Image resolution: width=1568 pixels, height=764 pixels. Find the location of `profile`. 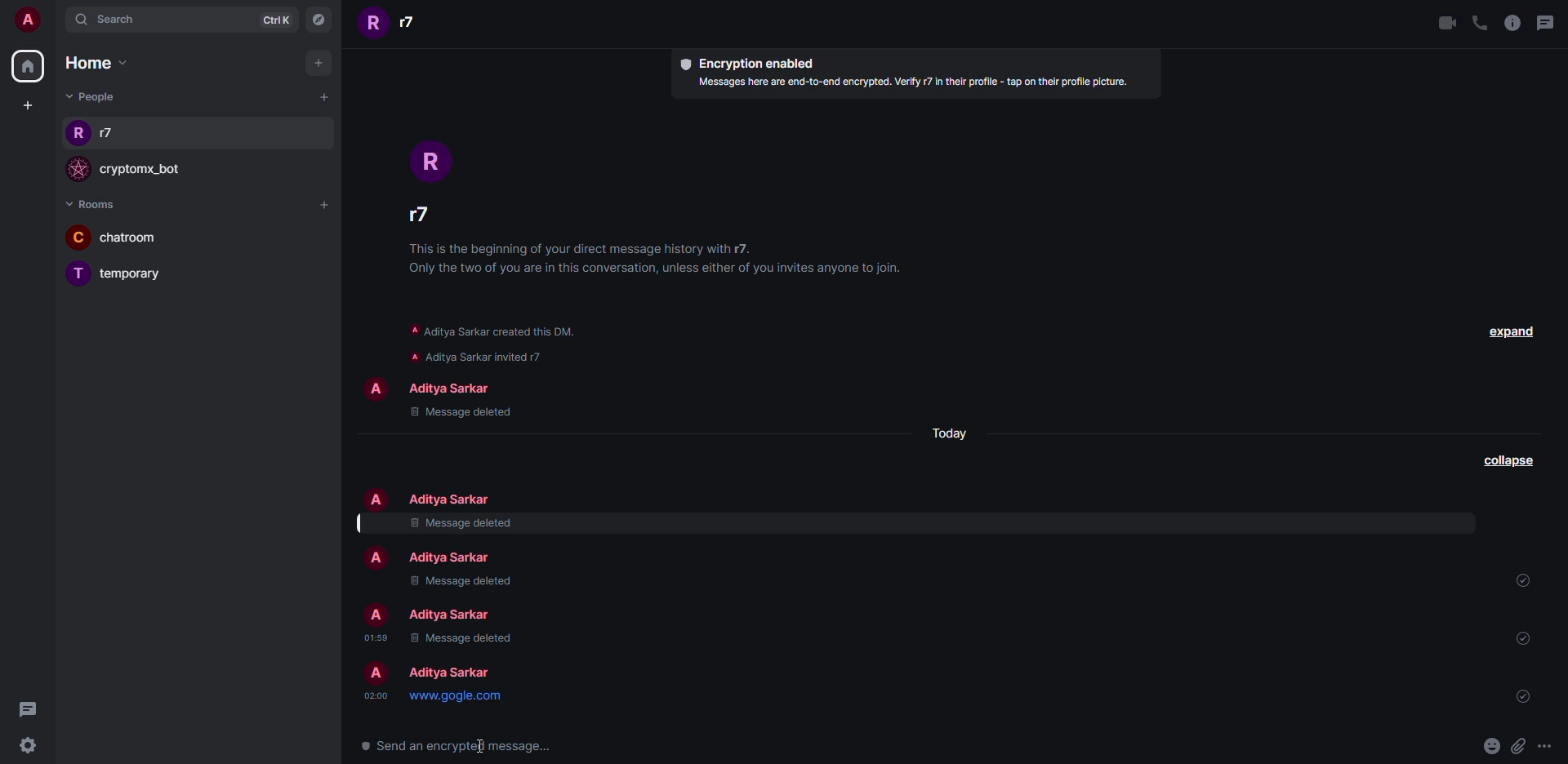

profile is located at coordinates (373, 673).